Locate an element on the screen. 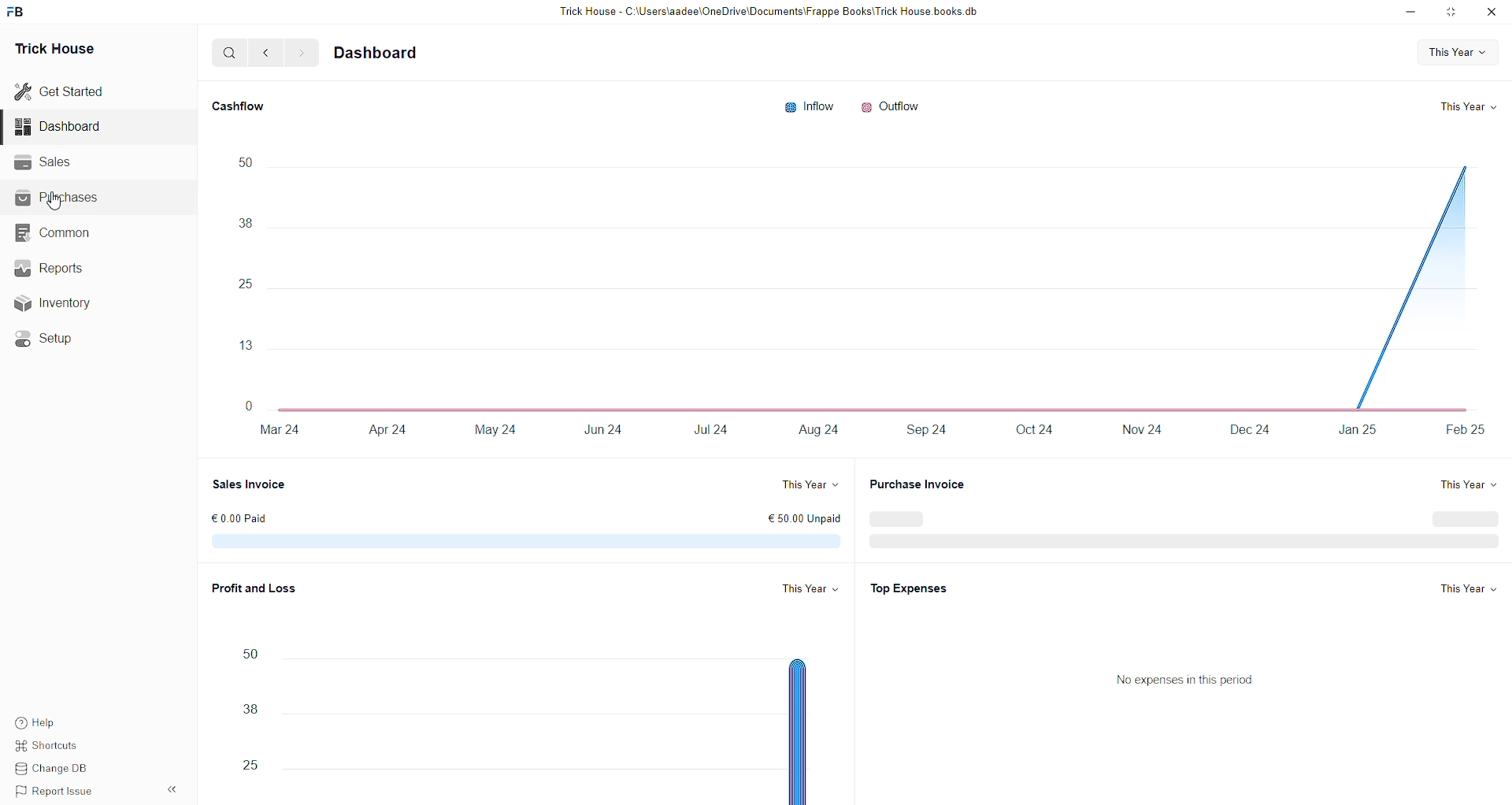 The image size is (1512, 805). Jun 24 is located at coordinates (601, 427).